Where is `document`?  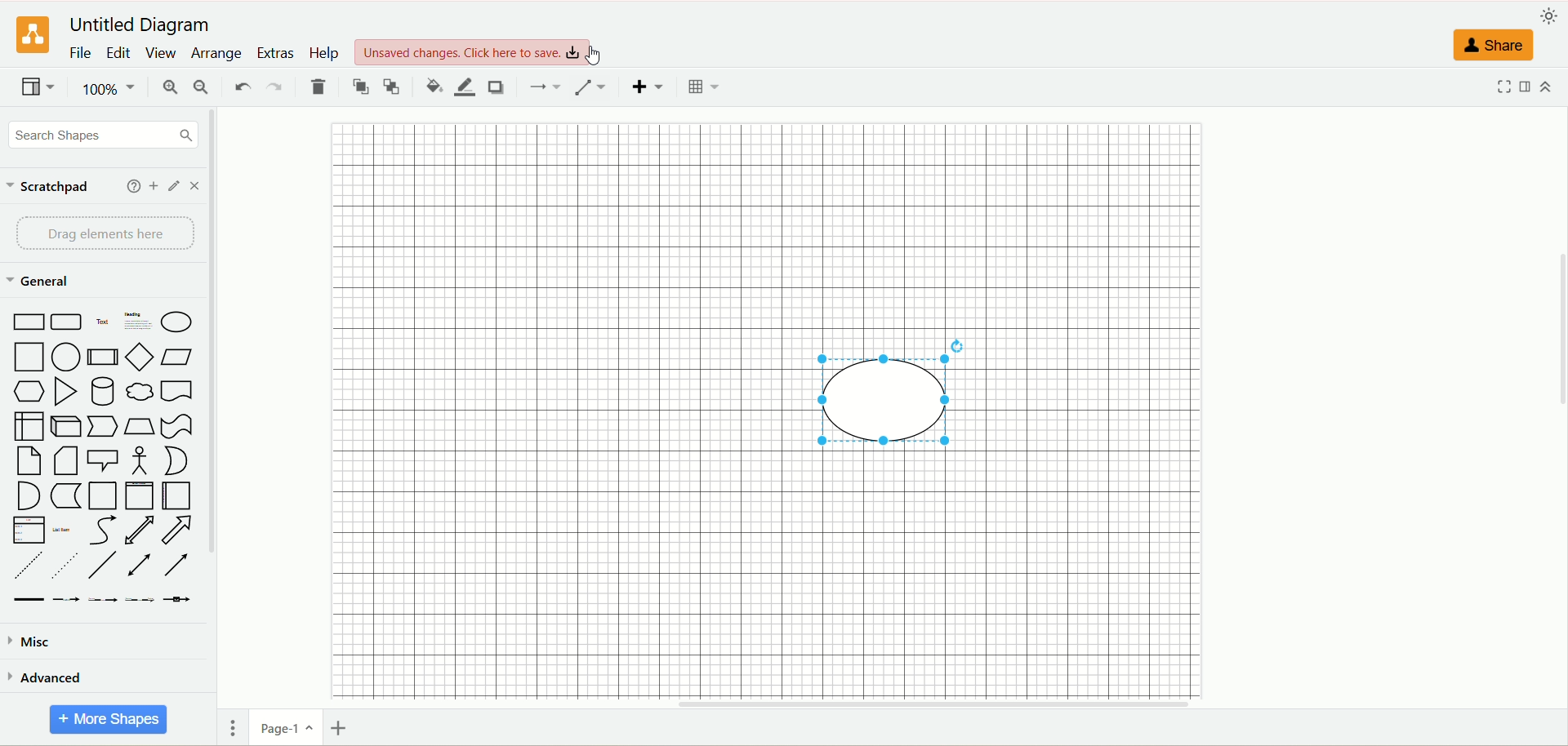
document is located at coordinates (179, 391).